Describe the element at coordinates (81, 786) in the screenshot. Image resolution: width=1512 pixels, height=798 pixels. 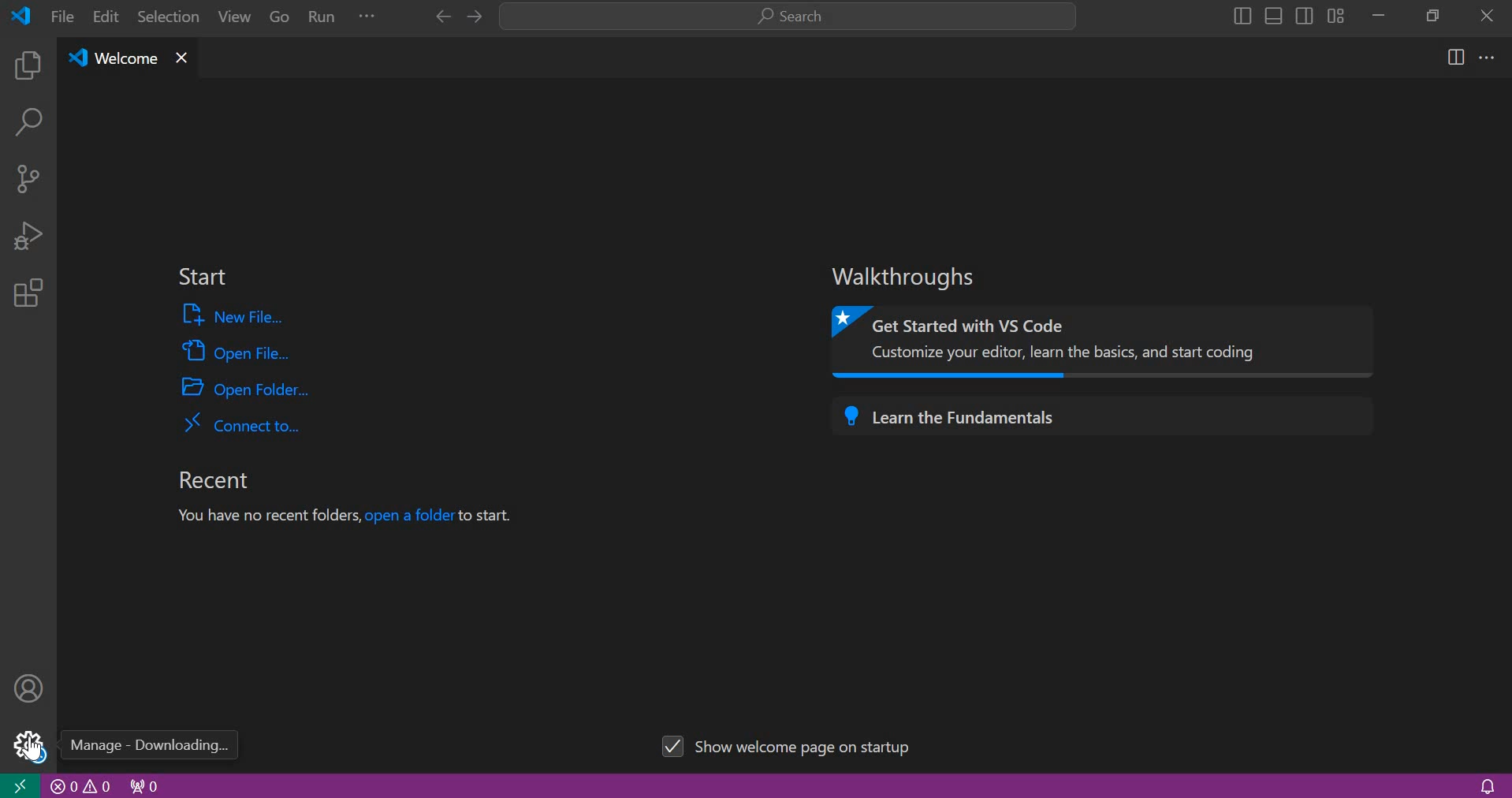
I see `no problems` at that location.